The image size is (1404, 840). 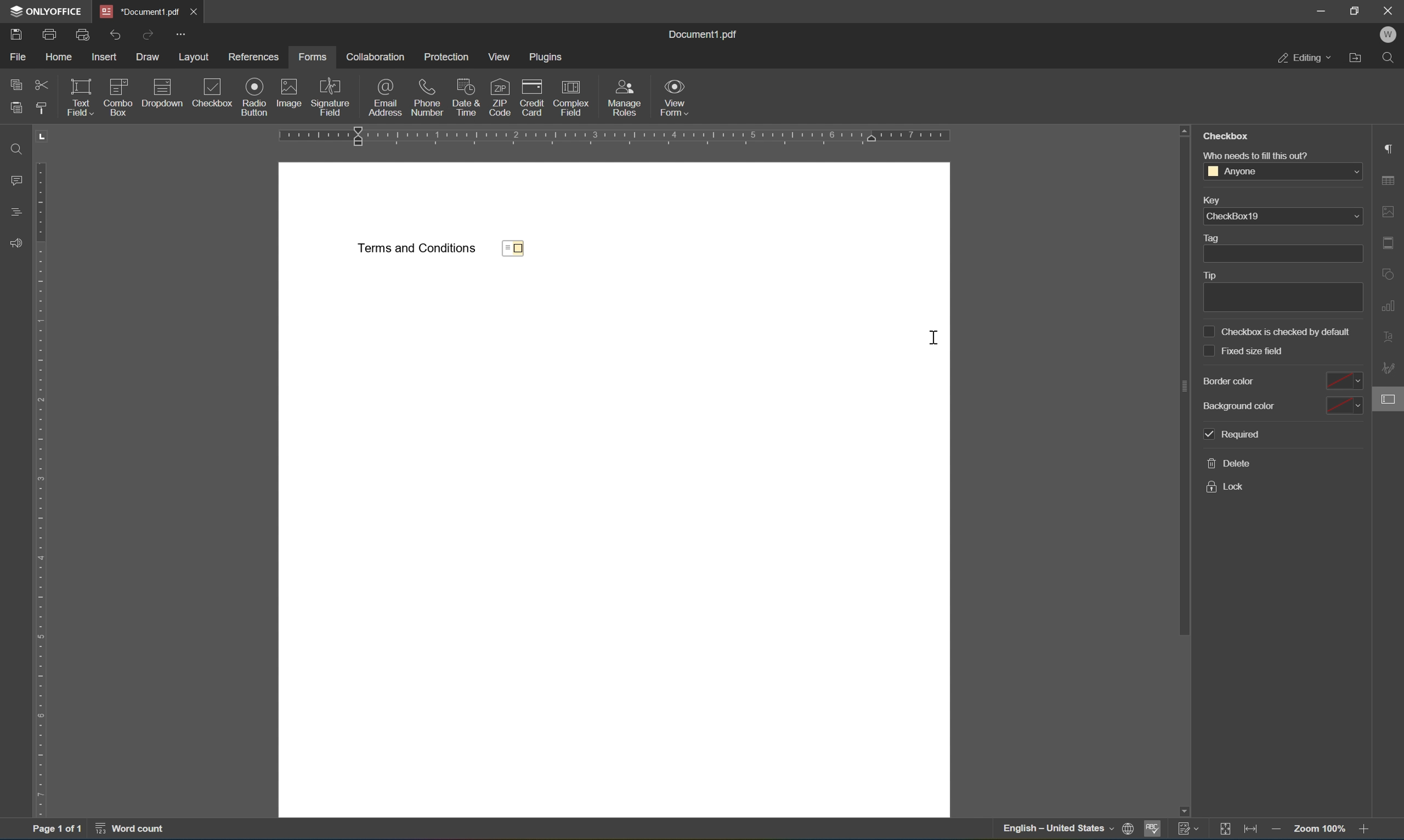 What do you see at coordinates (1233, 172) in the screenshot?
I see `anyone` at bounding box center [1233, 172].